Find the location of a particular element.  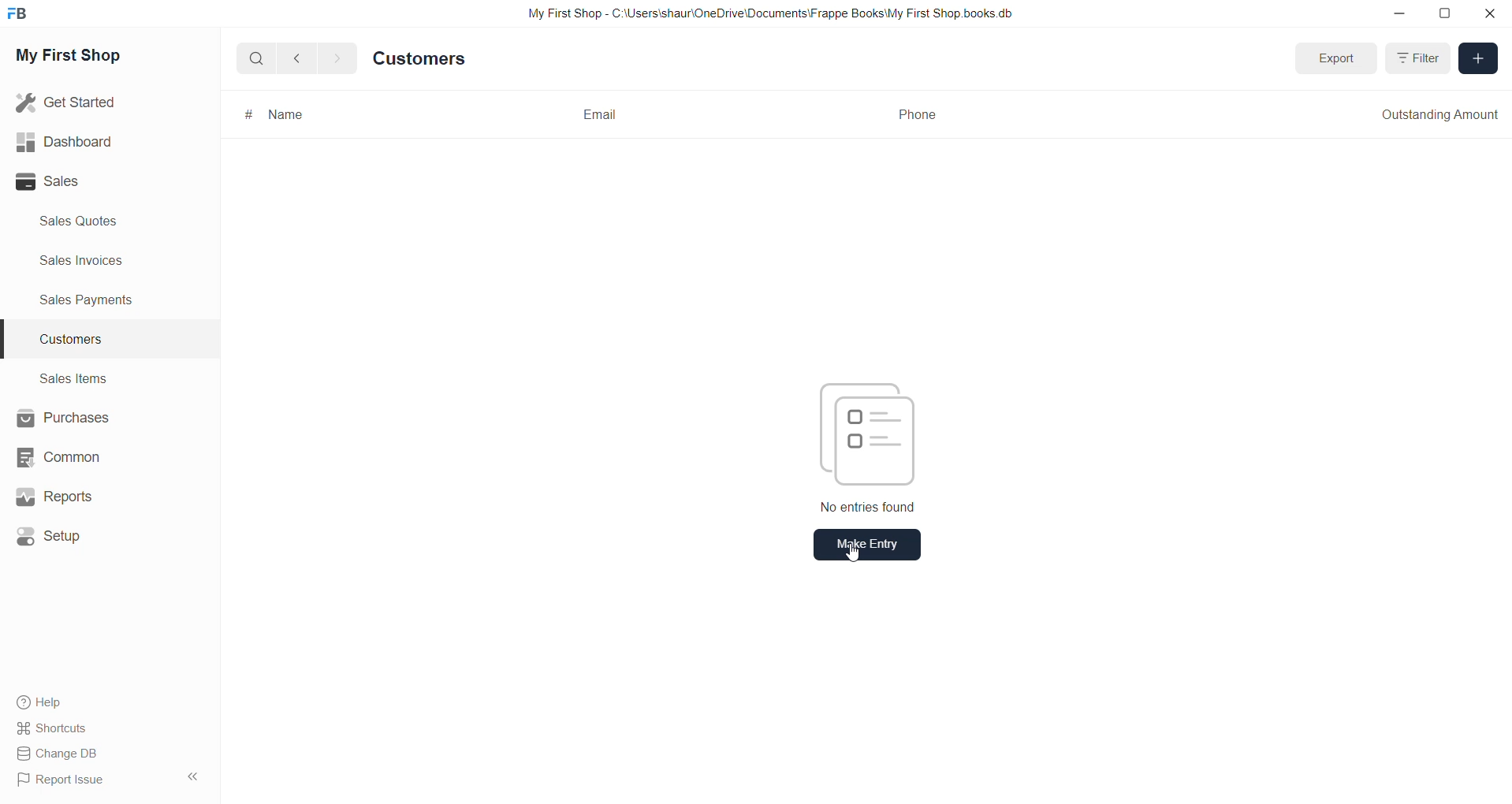

# is located at coordinates (244, 117).